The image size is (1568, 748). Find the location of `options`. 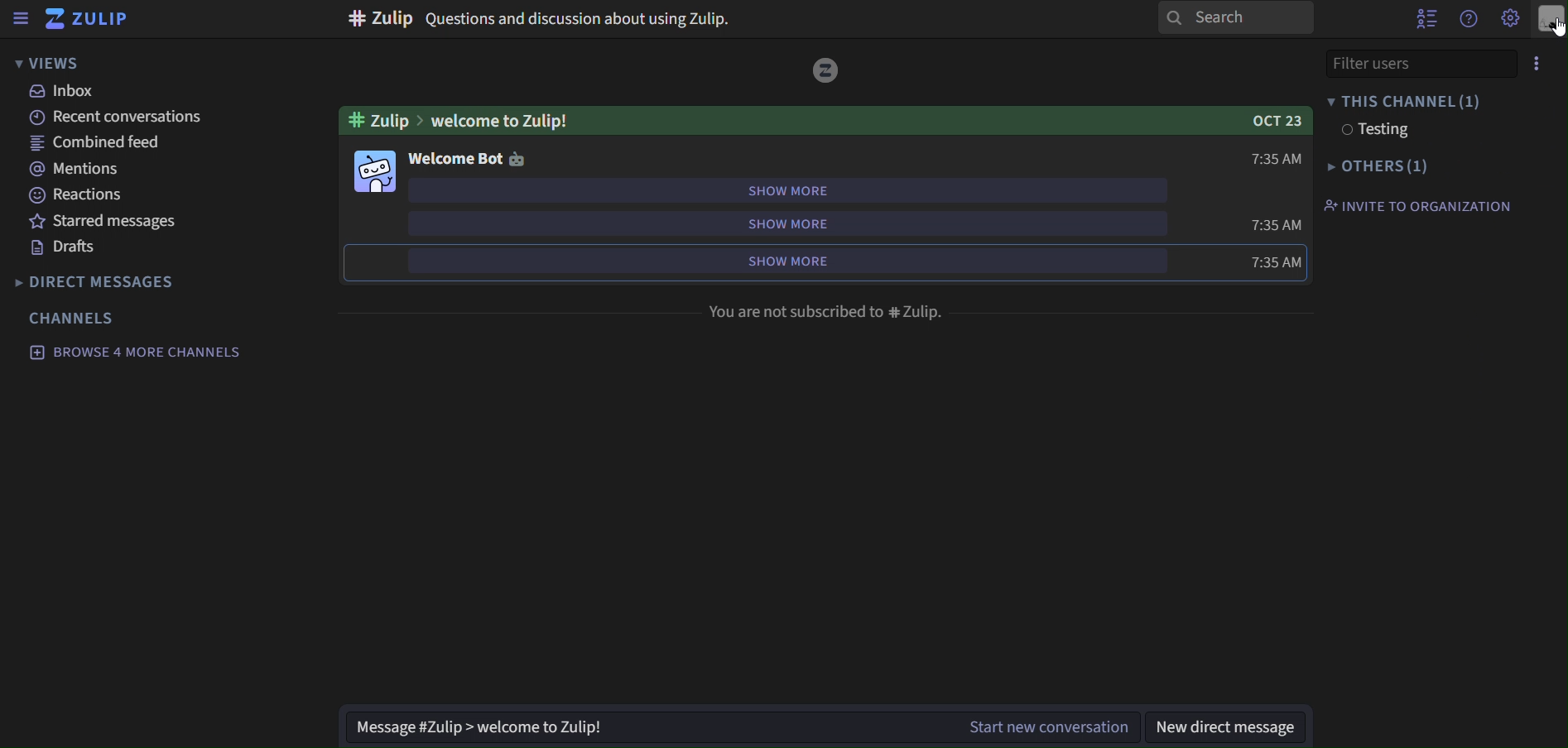

options is located at coordinates (1537, 61).